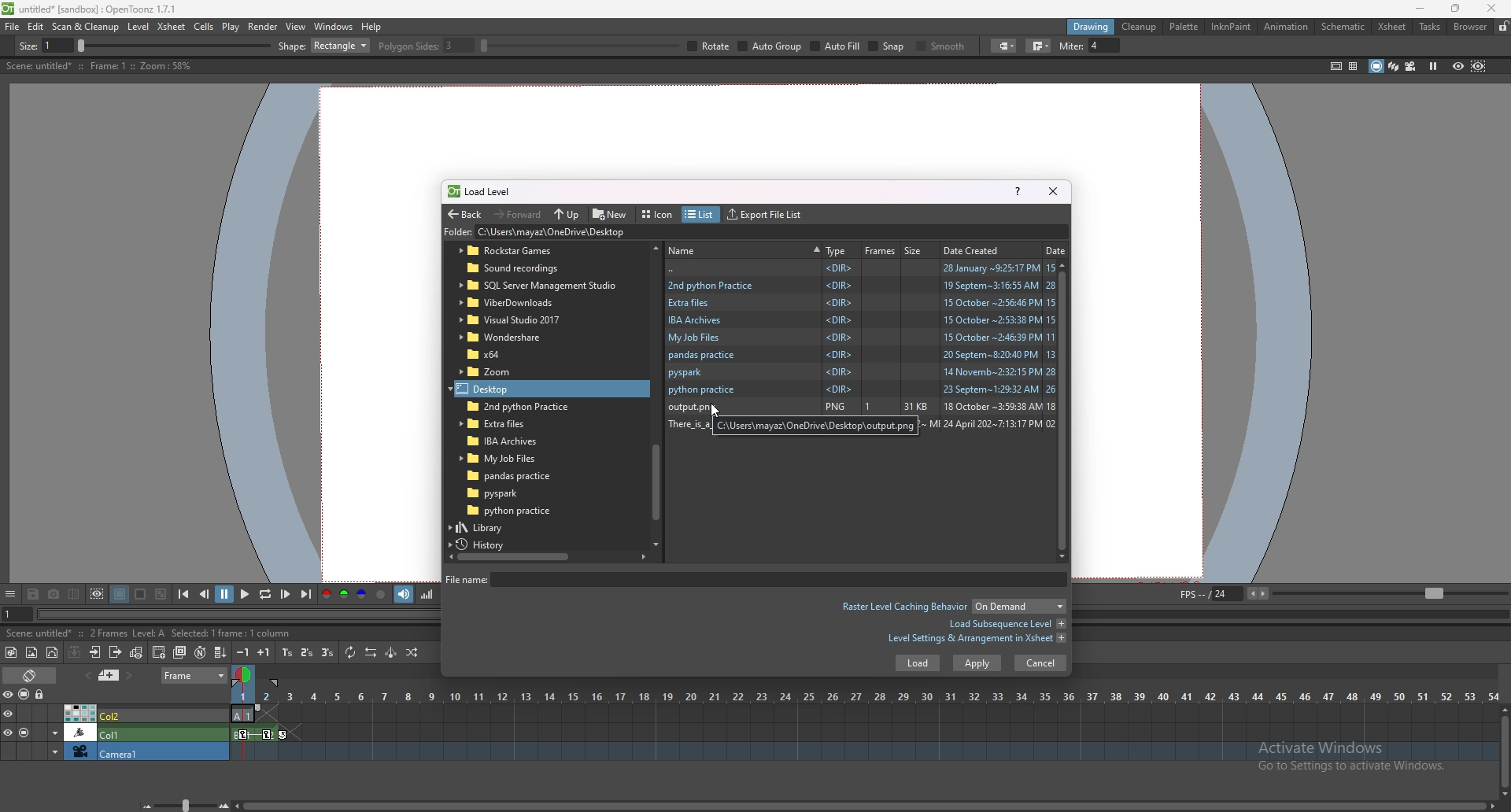  I want to click on first frame, so click(183, 594).